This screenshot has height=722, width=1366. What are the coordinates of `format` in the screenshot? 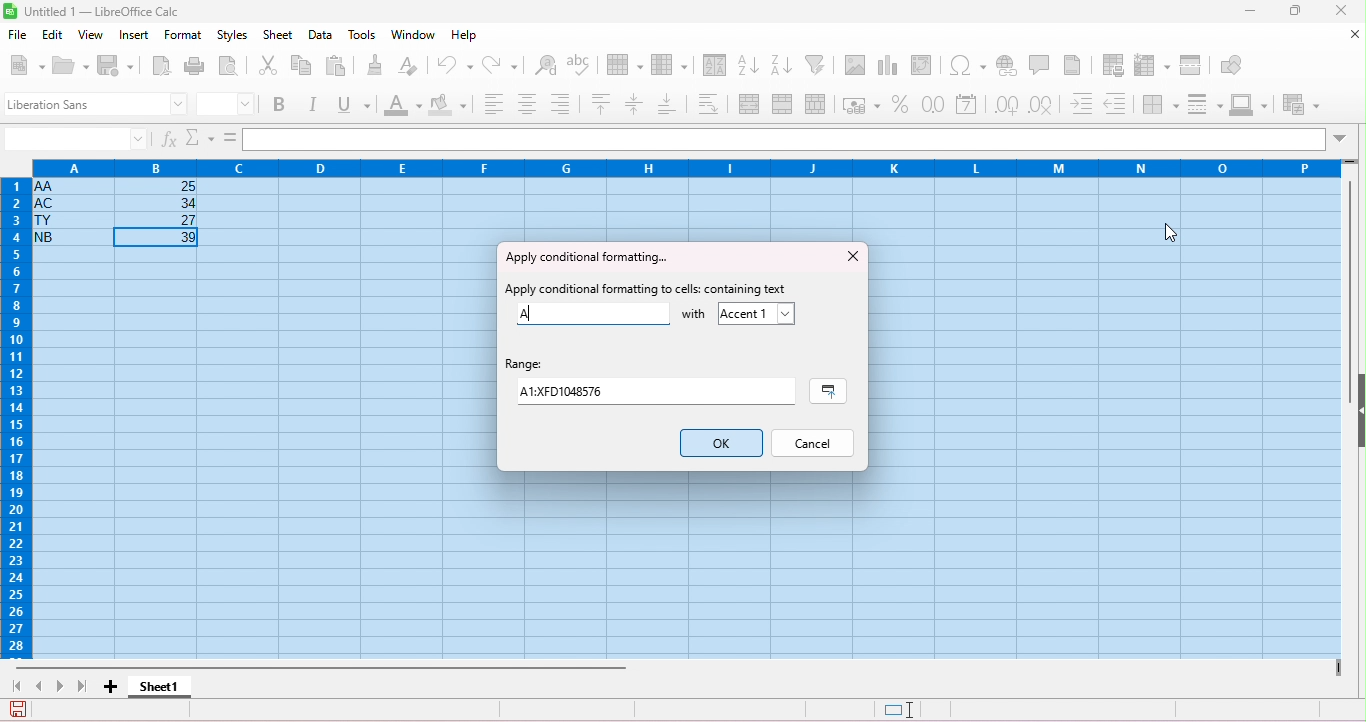 It's located at (184, 36).